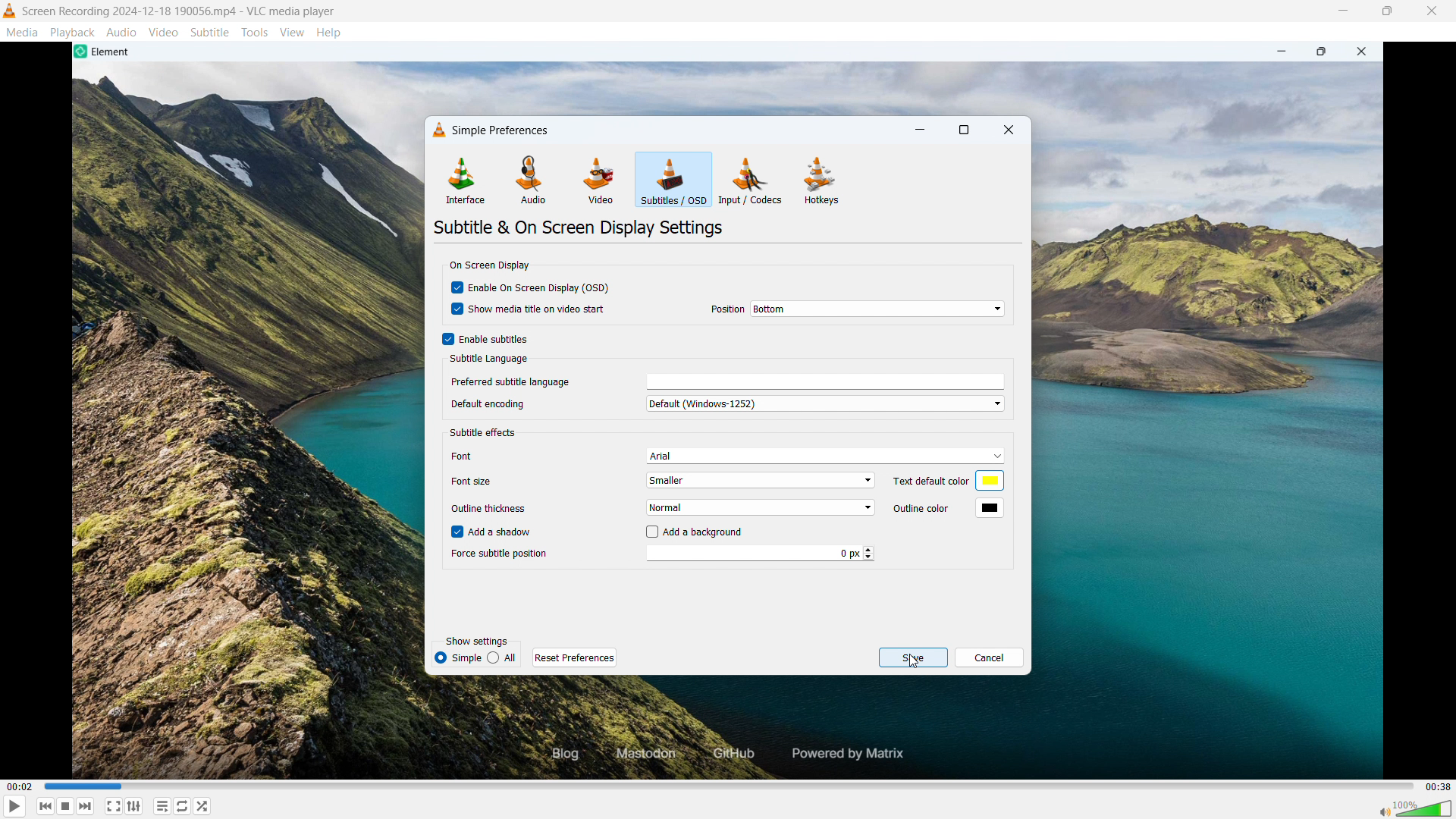 The width and height of the screenshot is (1456, 819). Describe the element at coordinates (751, 180) in the screenshot. I see `Input or codecs ` at that location.